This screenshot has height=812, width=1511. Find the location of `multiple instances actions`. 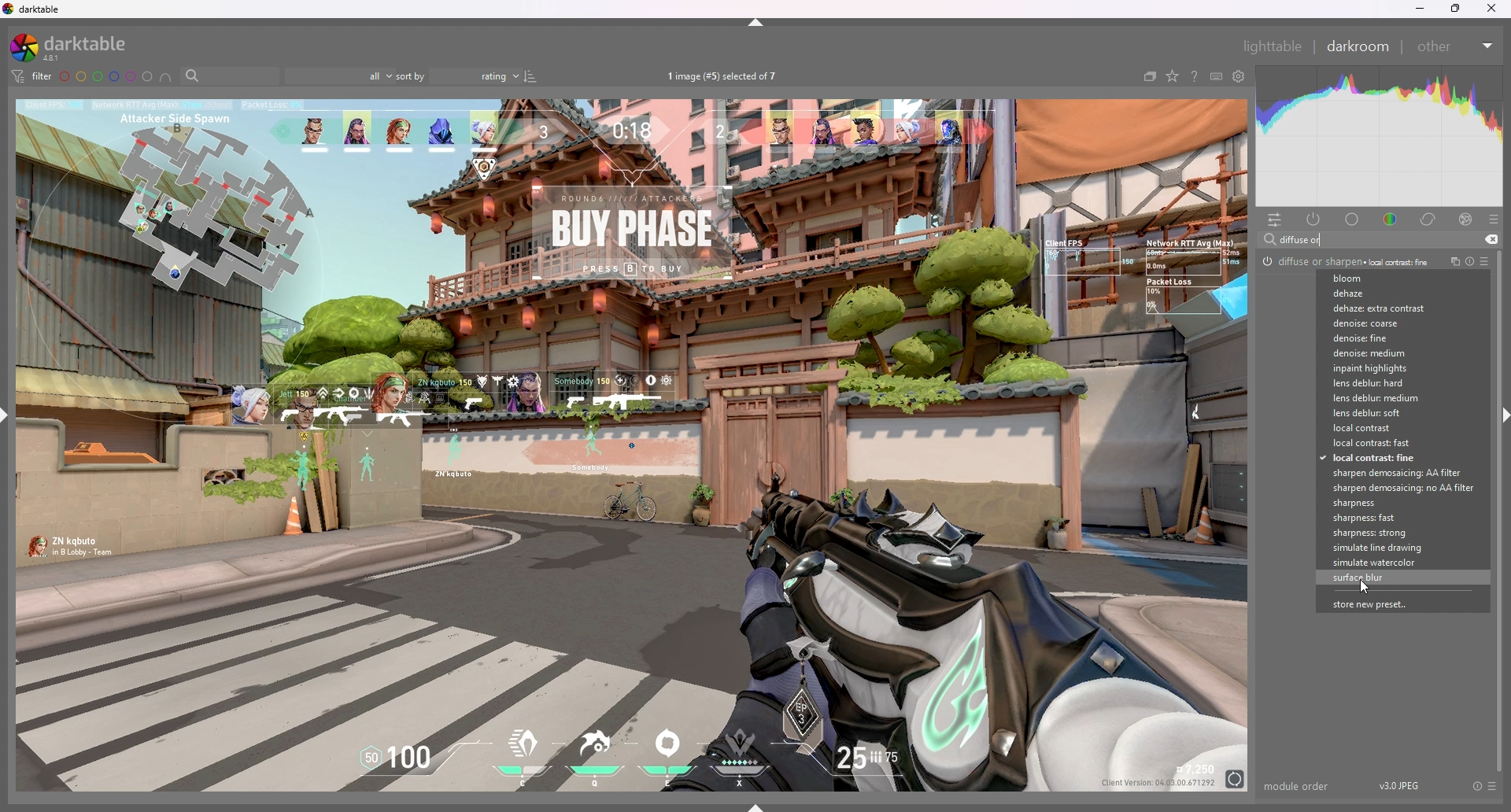

multiple instances actions is located at coordinates (1451, 262).